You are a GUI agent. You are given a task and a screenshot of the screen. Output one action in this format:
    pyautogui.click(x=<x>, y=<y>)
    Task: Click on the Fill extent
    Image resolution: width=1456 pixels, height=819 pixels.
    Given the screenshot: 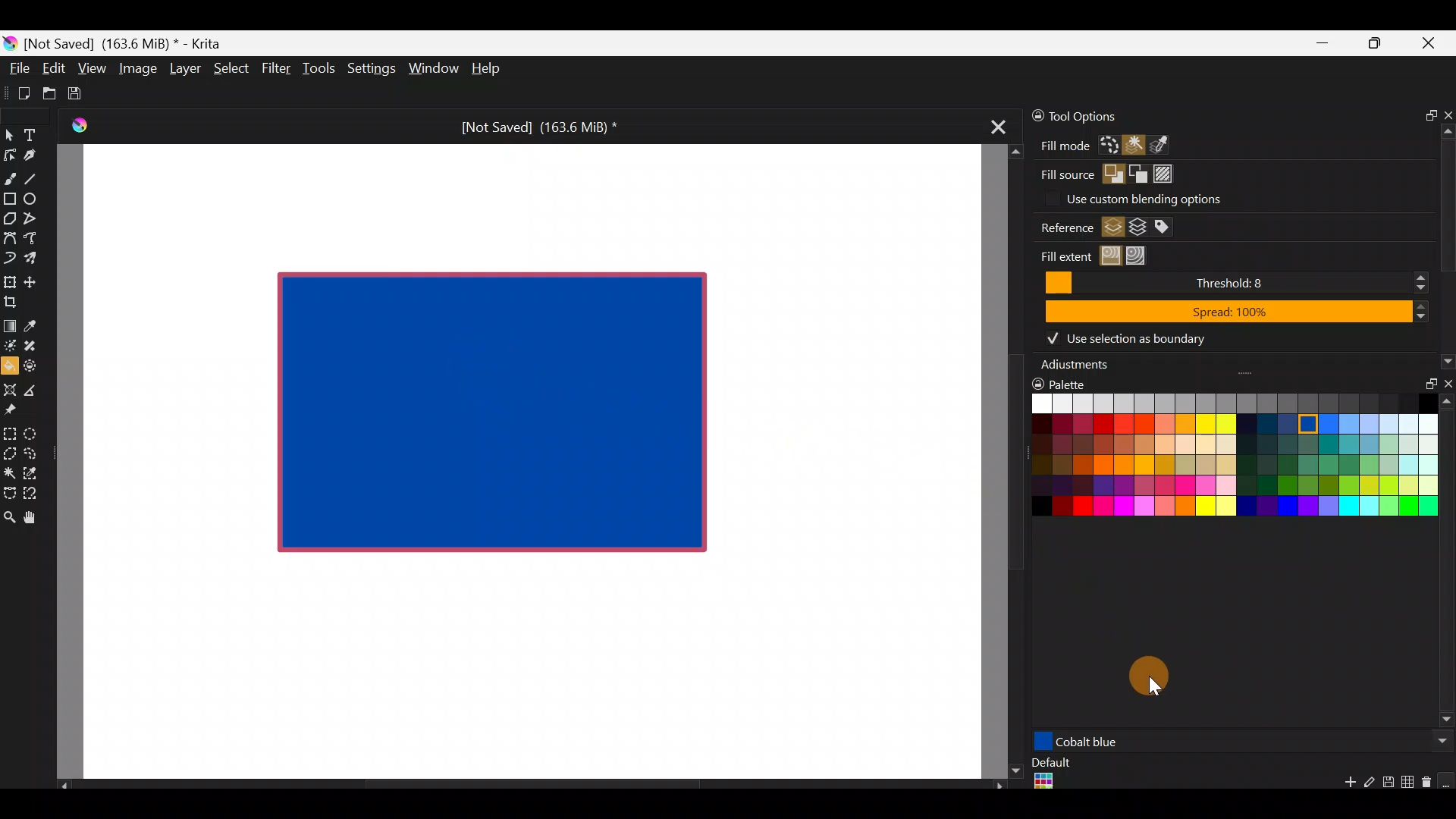 What is the action you would take?
    pyautogui.click(x=1057, y=254)
    